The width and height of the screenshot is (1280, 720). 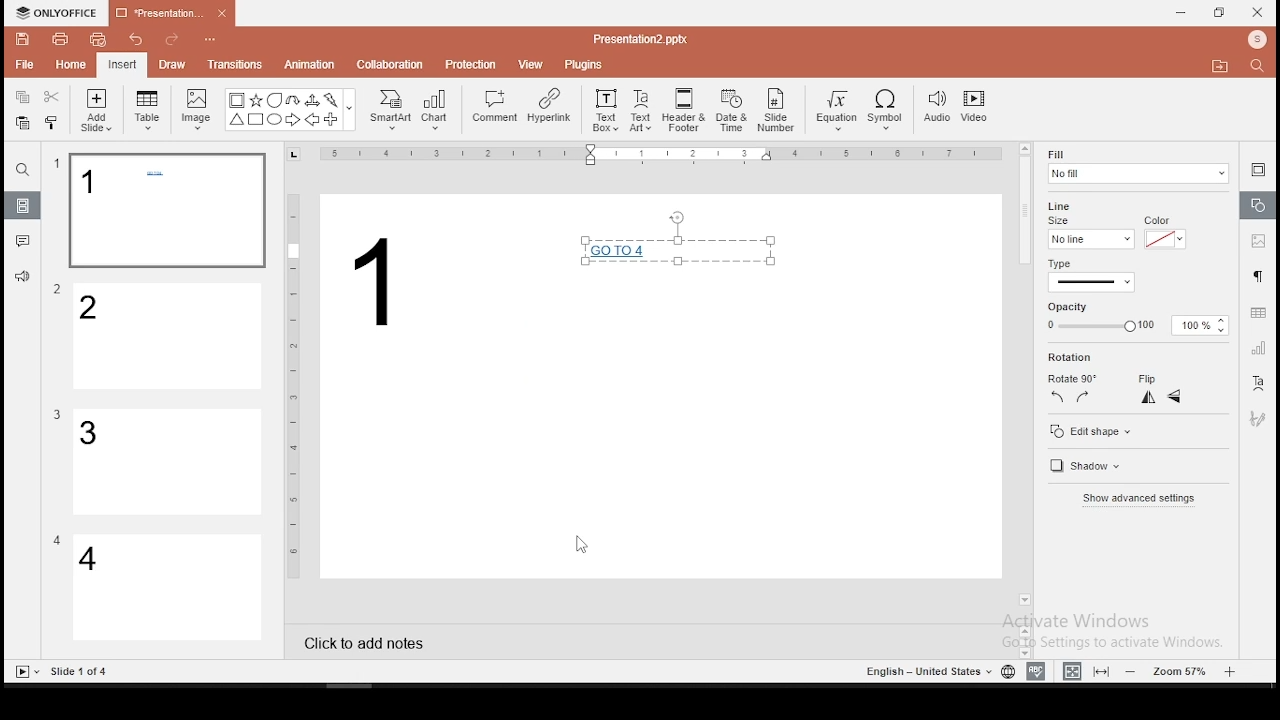 What do you see at coordinates (436, 109) in the screenshot?
I see `chart` at bounding box center [436, 109].